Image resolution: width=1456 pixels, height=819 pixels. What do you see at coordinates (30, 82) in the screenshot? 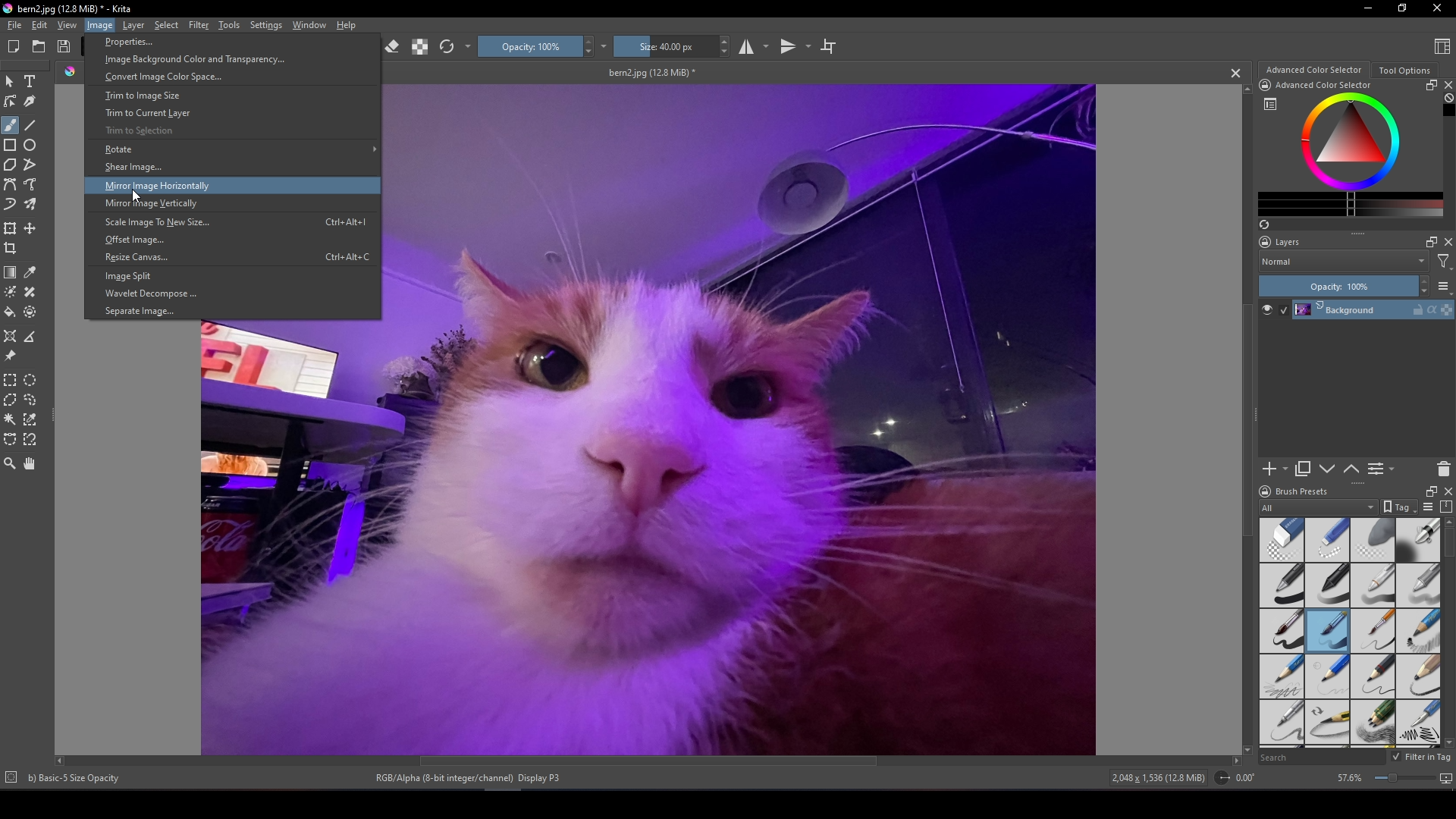
I see `Text tool` at bounding box center [30, 82].